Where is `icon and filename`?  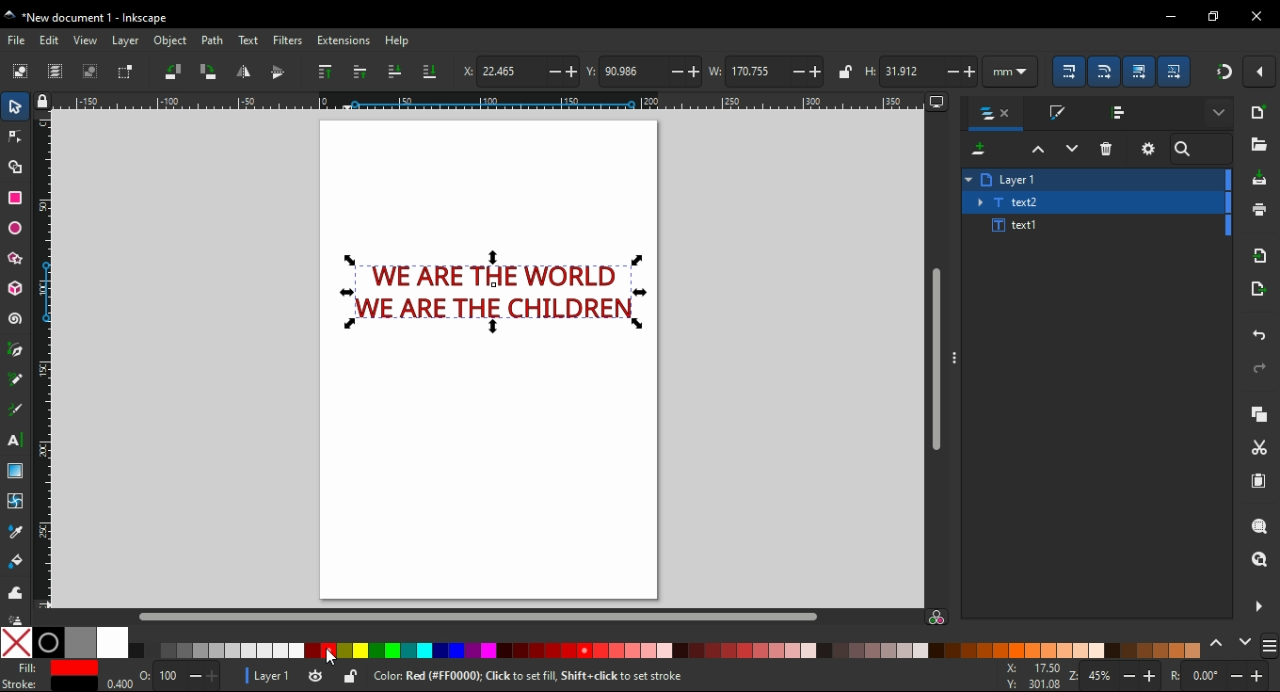 icon and filename is located at coordinates (88, 16).